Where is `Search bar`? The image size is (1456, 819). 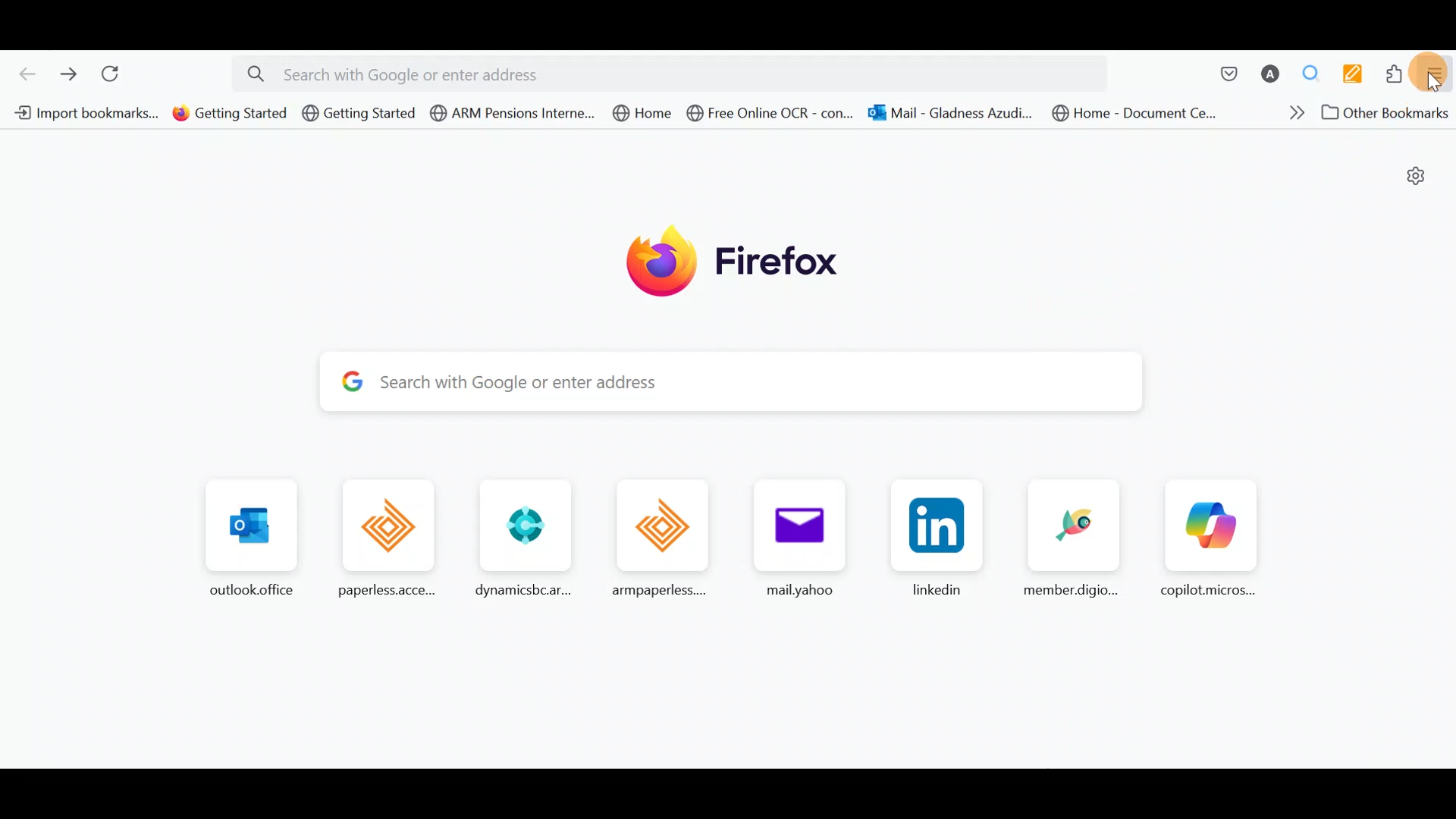 Search bar is located at coordinates (675, 72).